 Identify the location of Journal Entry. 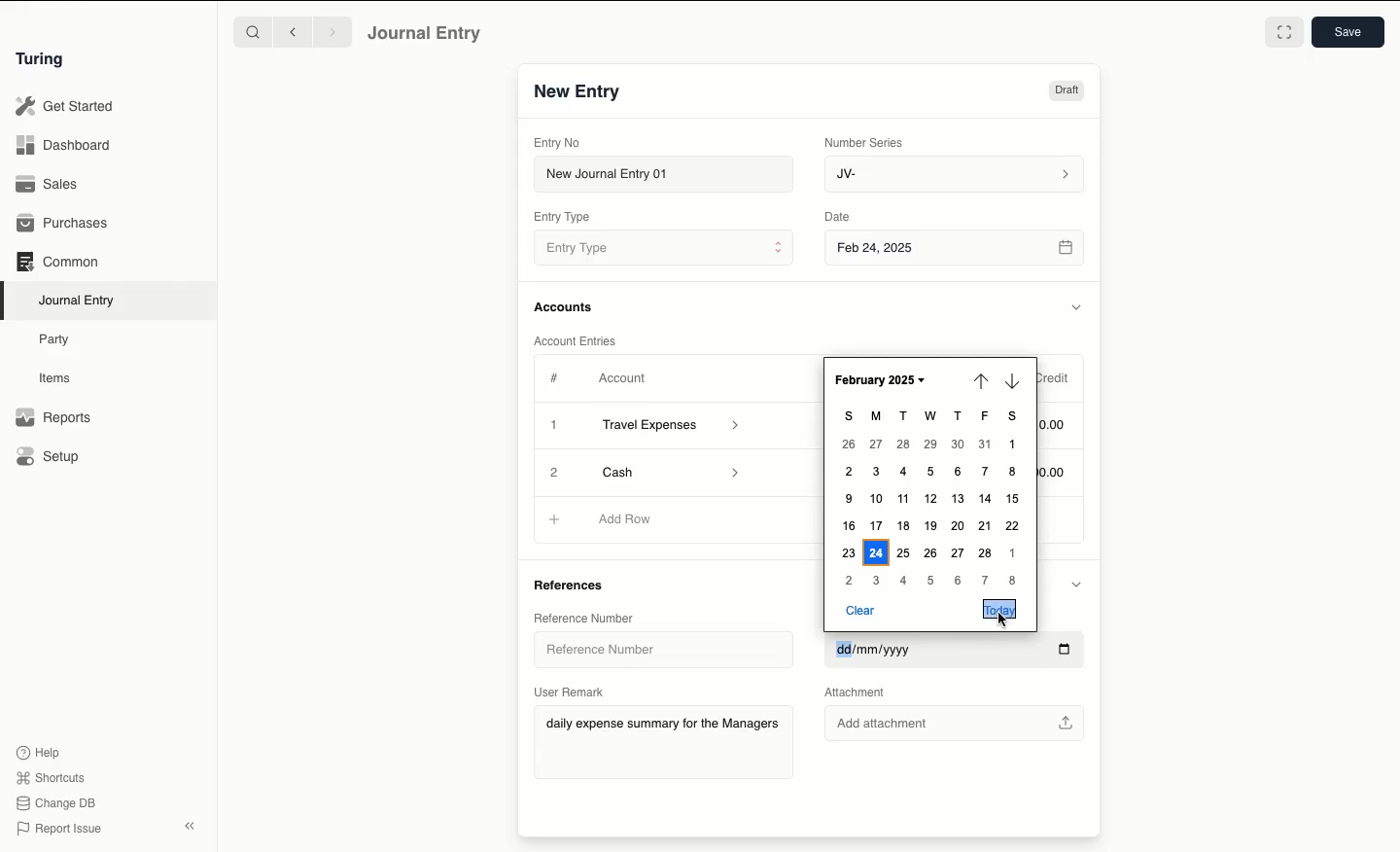
(78, 302).